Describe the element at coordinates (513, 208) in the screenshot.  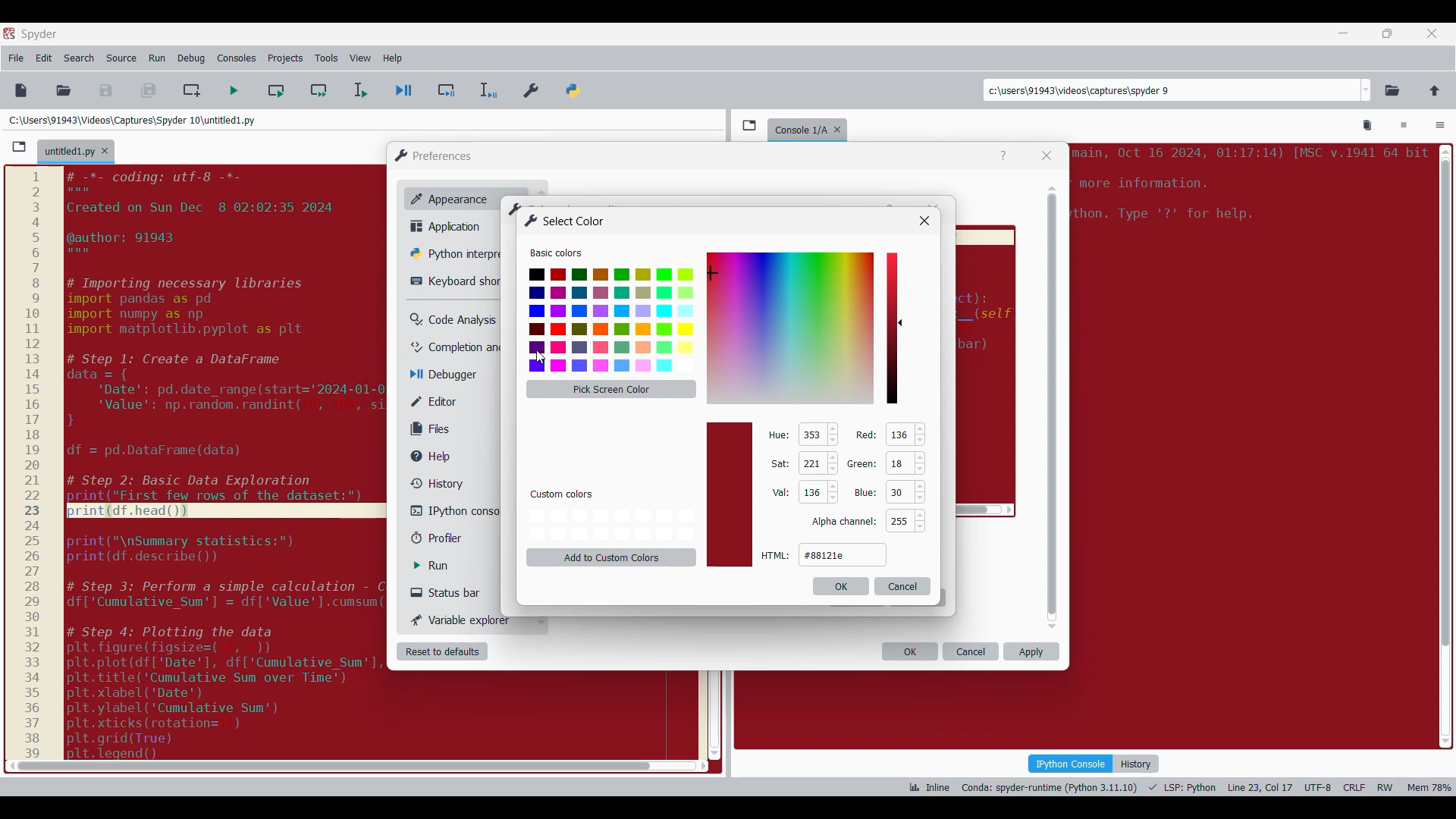
I see `Title of current window` at that location.